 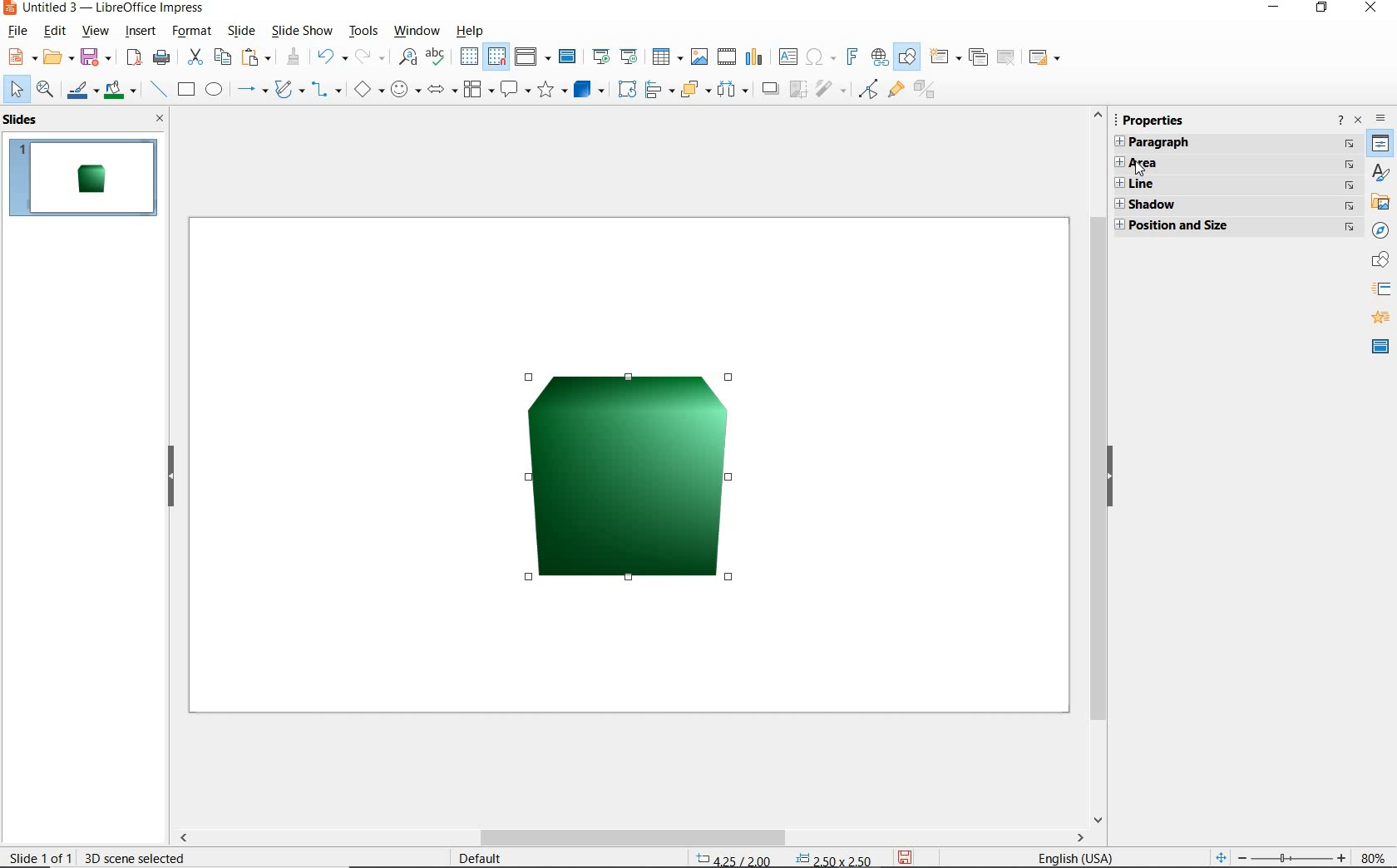 What do you see at coordinates (568, 57) in the screenshot?
I see `master slide` at bounding box center [568, 57].